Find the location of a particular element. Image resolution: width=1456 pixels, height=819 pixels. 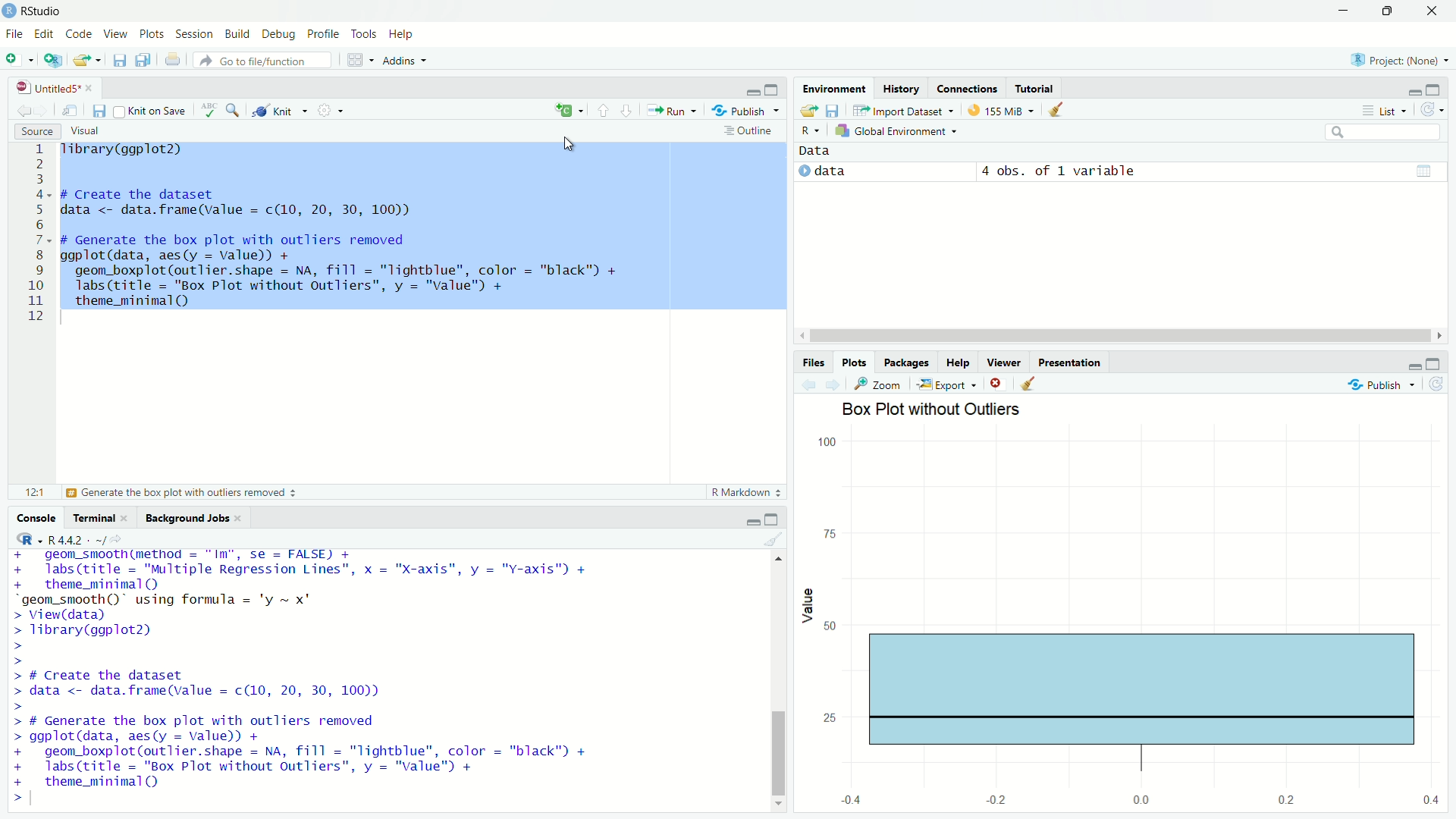

®r Publish ~ is located at coordinates (748, 111).